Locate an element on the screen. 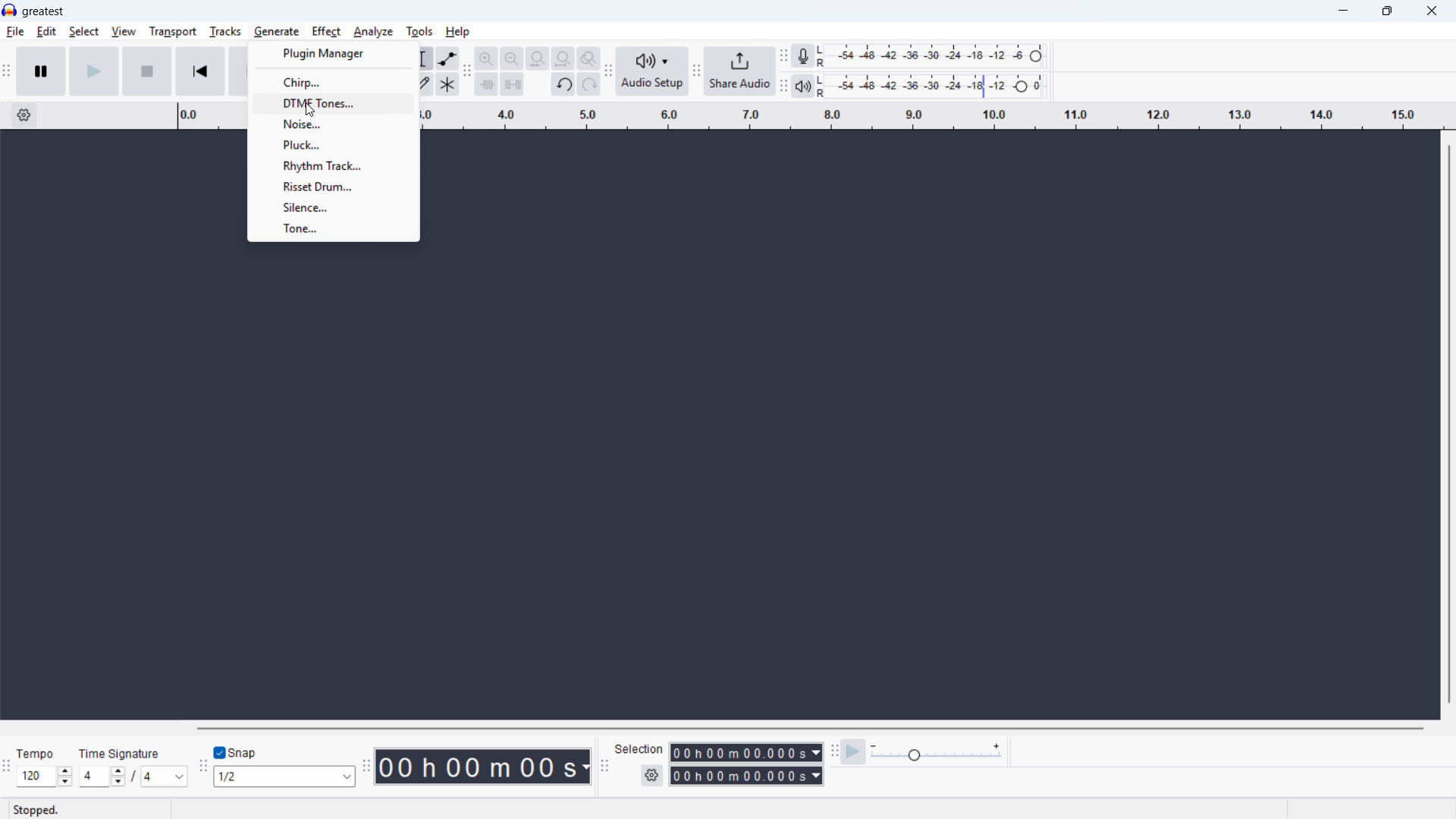 Image resolution: width=1456 pixels, height=819 pixels. silence audio outside selection is located at coordinates (511, 85).